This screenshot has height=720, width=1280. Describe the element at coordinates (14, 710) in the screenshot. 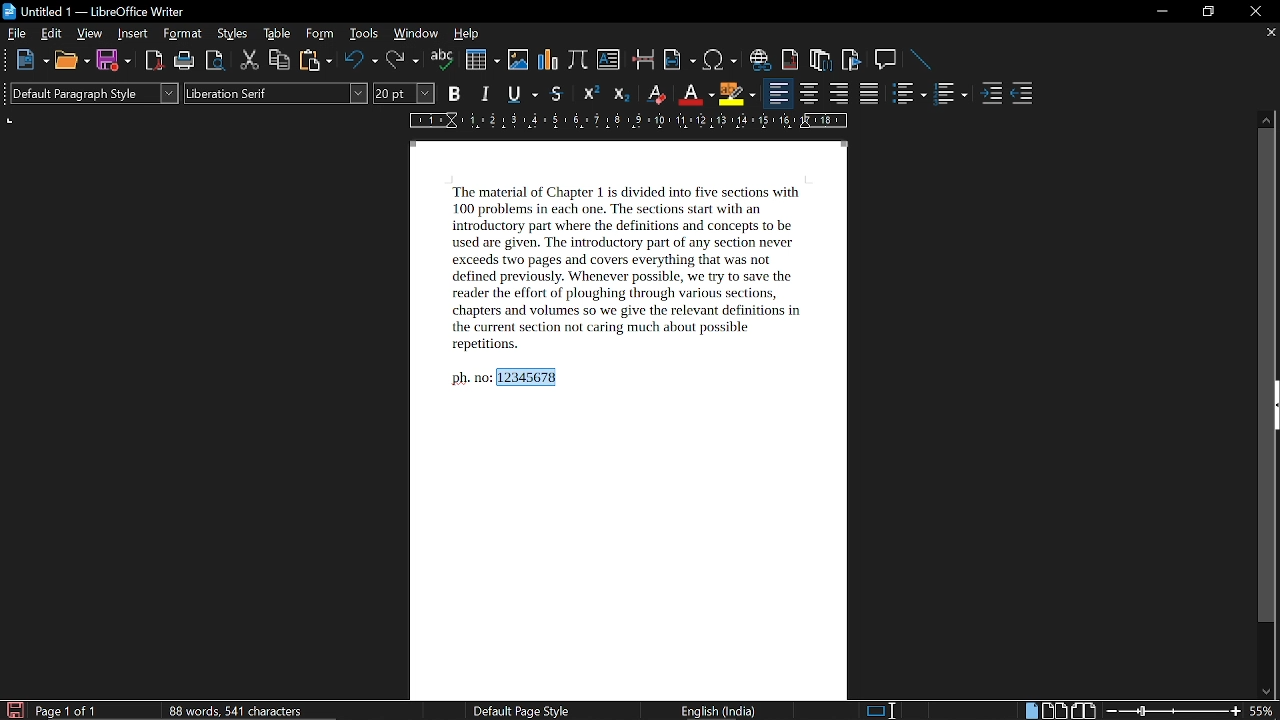

I see `save` at that location.